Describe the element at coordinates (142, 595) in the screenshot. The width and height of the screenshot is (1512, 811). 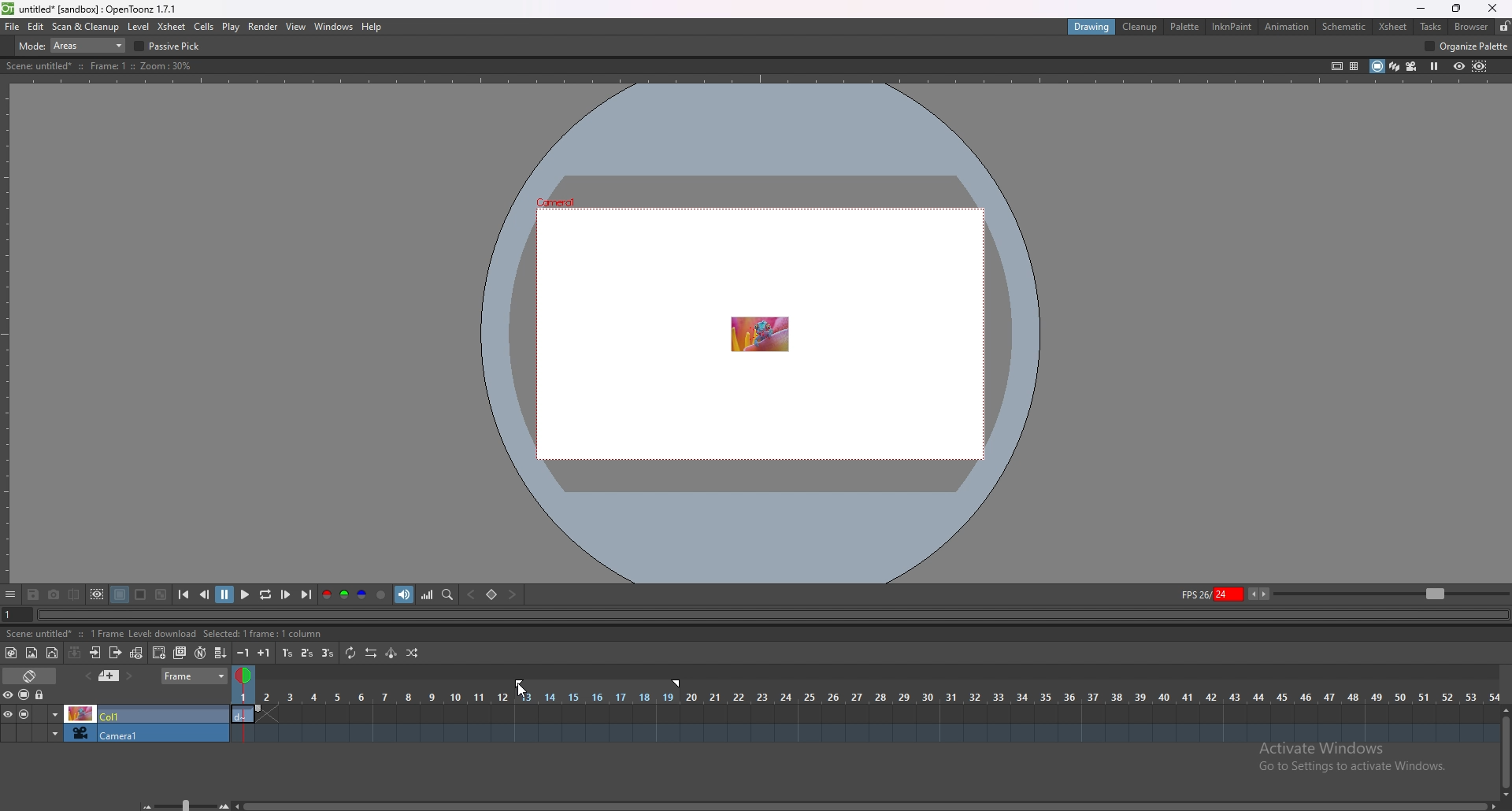
I see `white background` at that location.